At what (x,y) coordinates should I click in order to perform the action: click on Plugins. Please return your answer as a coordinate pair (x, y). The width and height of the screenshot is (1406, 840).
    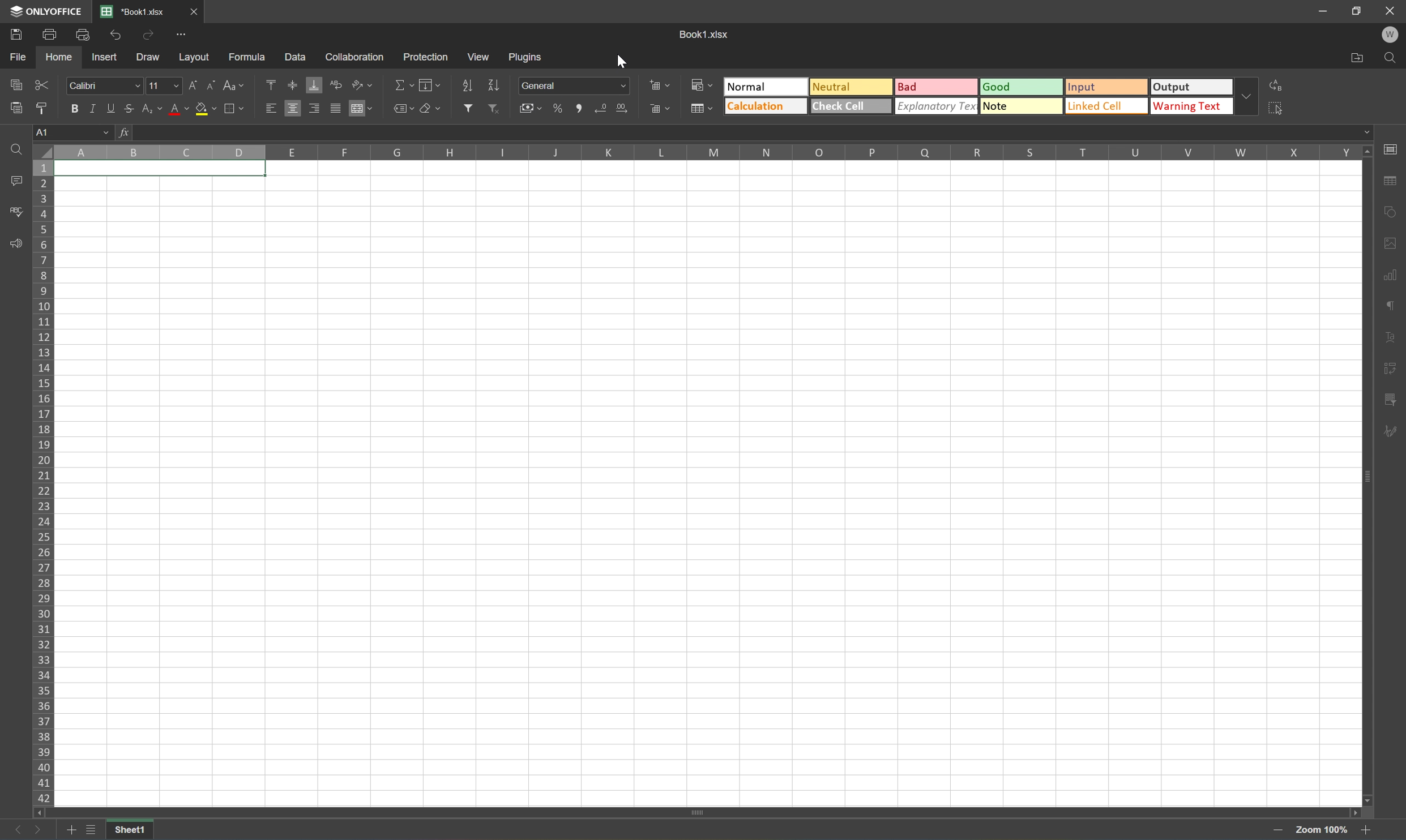
    Looking at the image, I should click on (527, 57).